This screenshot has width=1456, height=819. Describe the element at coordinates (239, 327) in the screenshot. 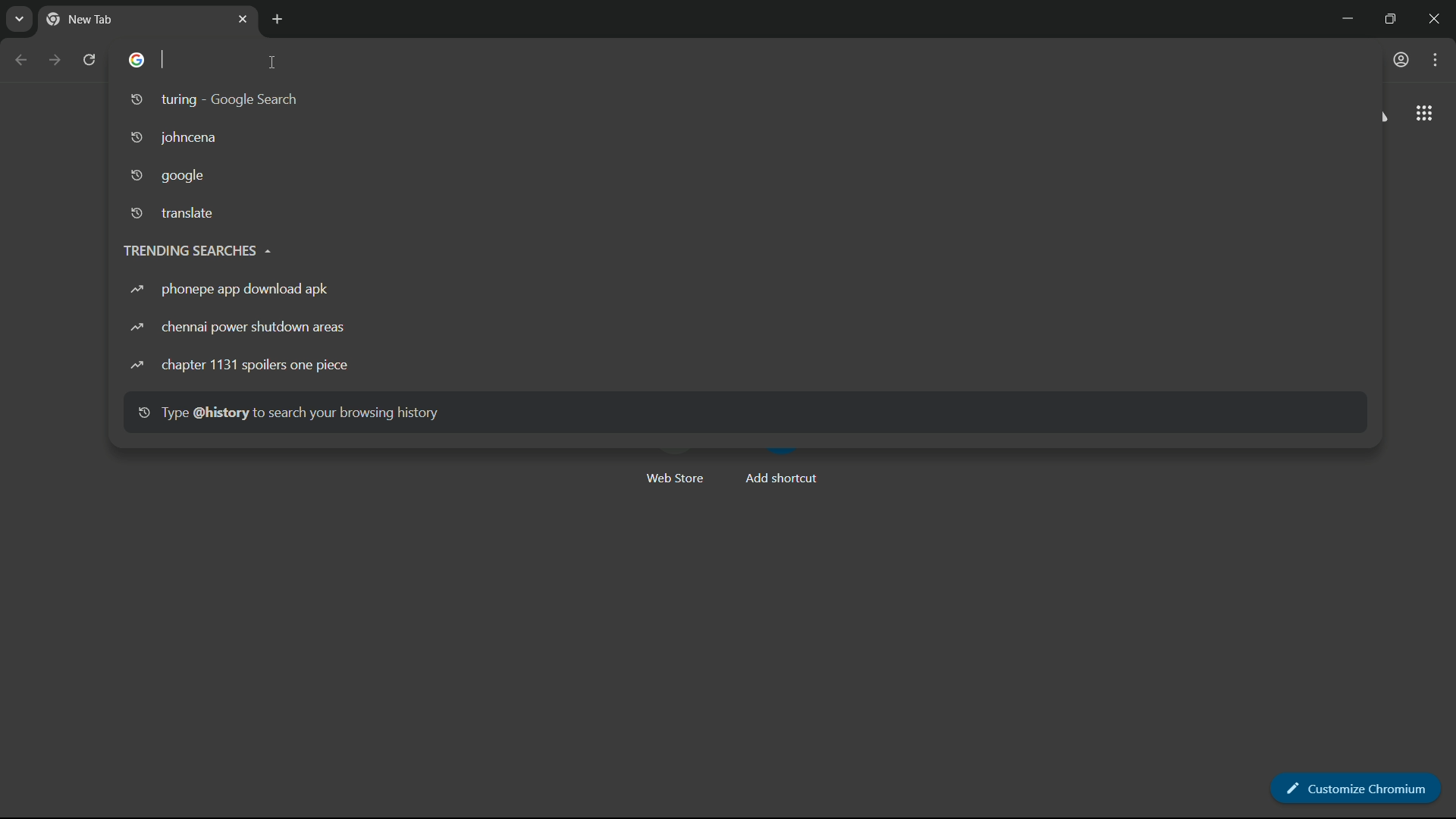

I see `chennai power shutdown areas` at that location.